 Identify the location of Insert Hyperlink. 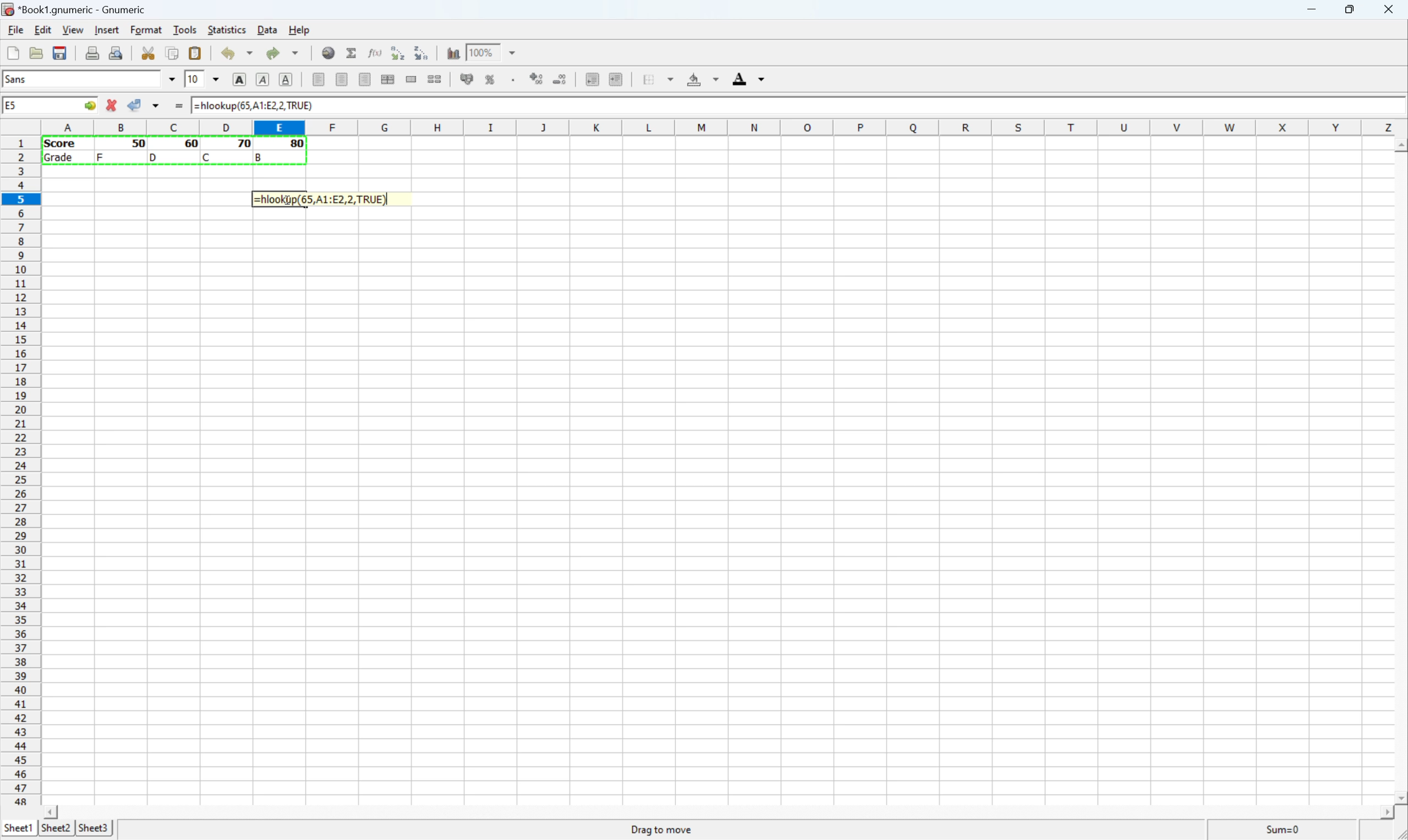
(328, 54).